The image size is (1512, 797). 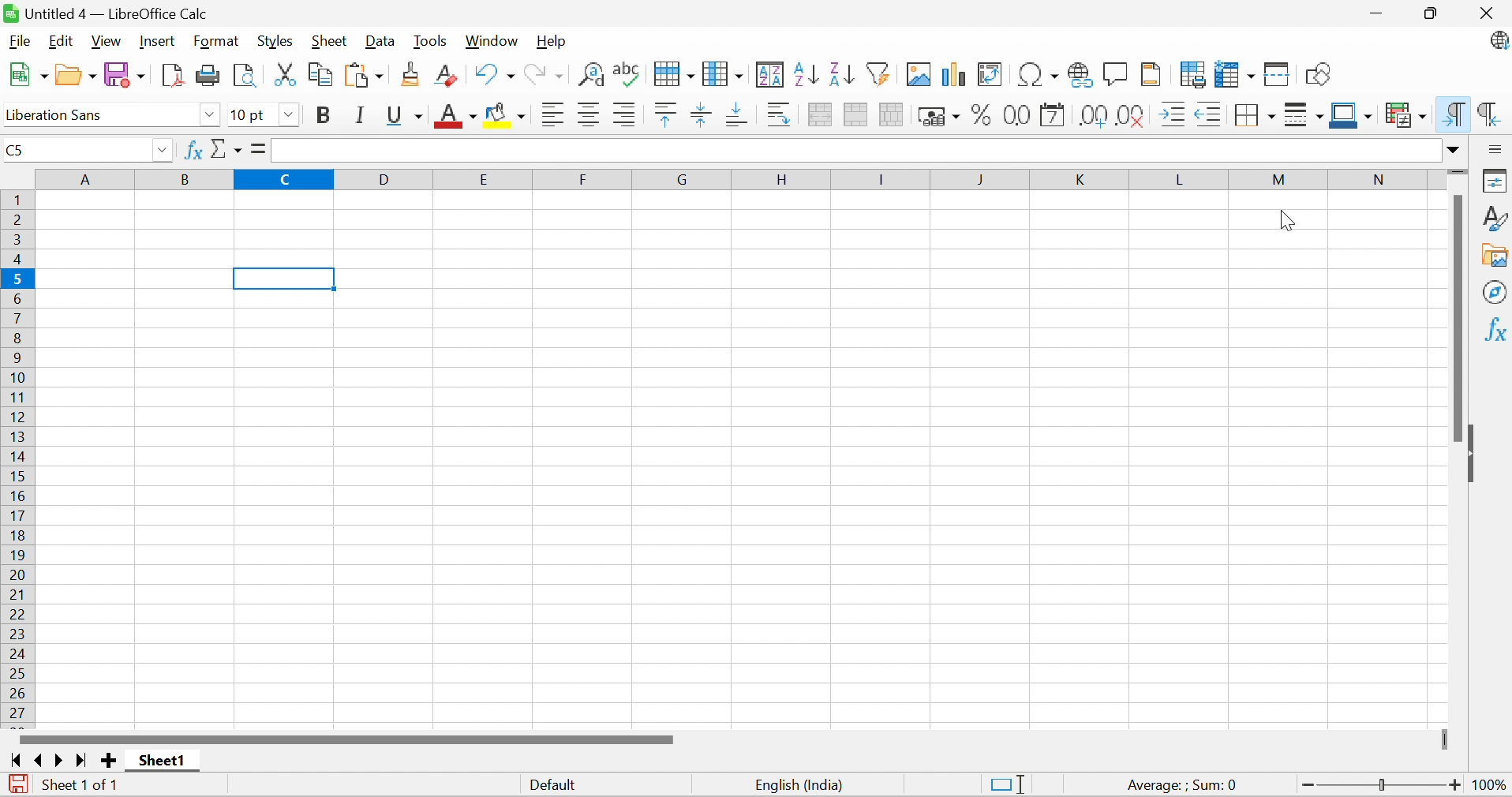 I want to click on Font size, so click(x=249, y=116).